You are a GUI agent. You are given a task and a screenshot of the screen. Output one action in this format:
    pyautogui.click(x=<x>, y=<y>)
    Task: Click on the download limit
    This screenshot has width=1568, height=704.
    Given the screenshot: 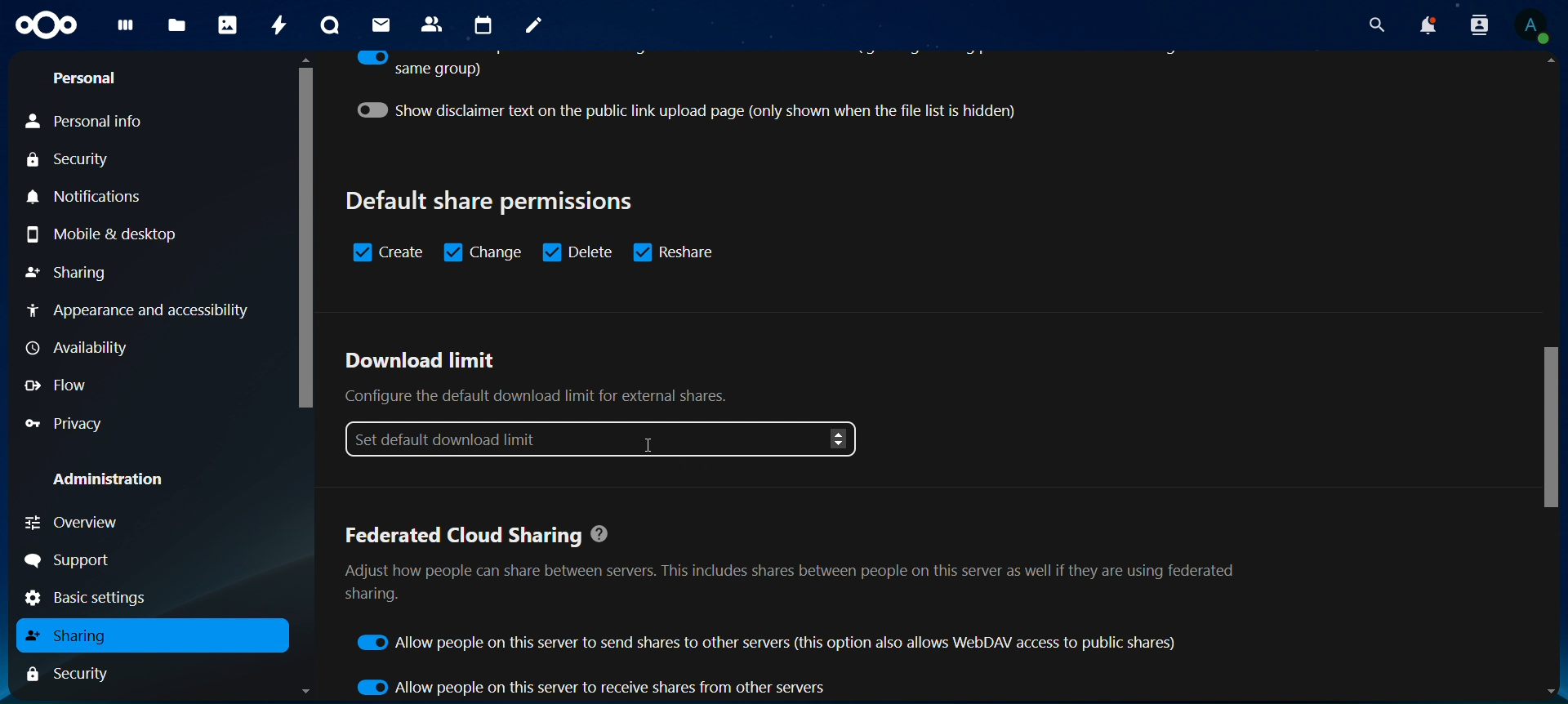 What is the action you would take?
    pyautogui.click(x=606, y=403)
    